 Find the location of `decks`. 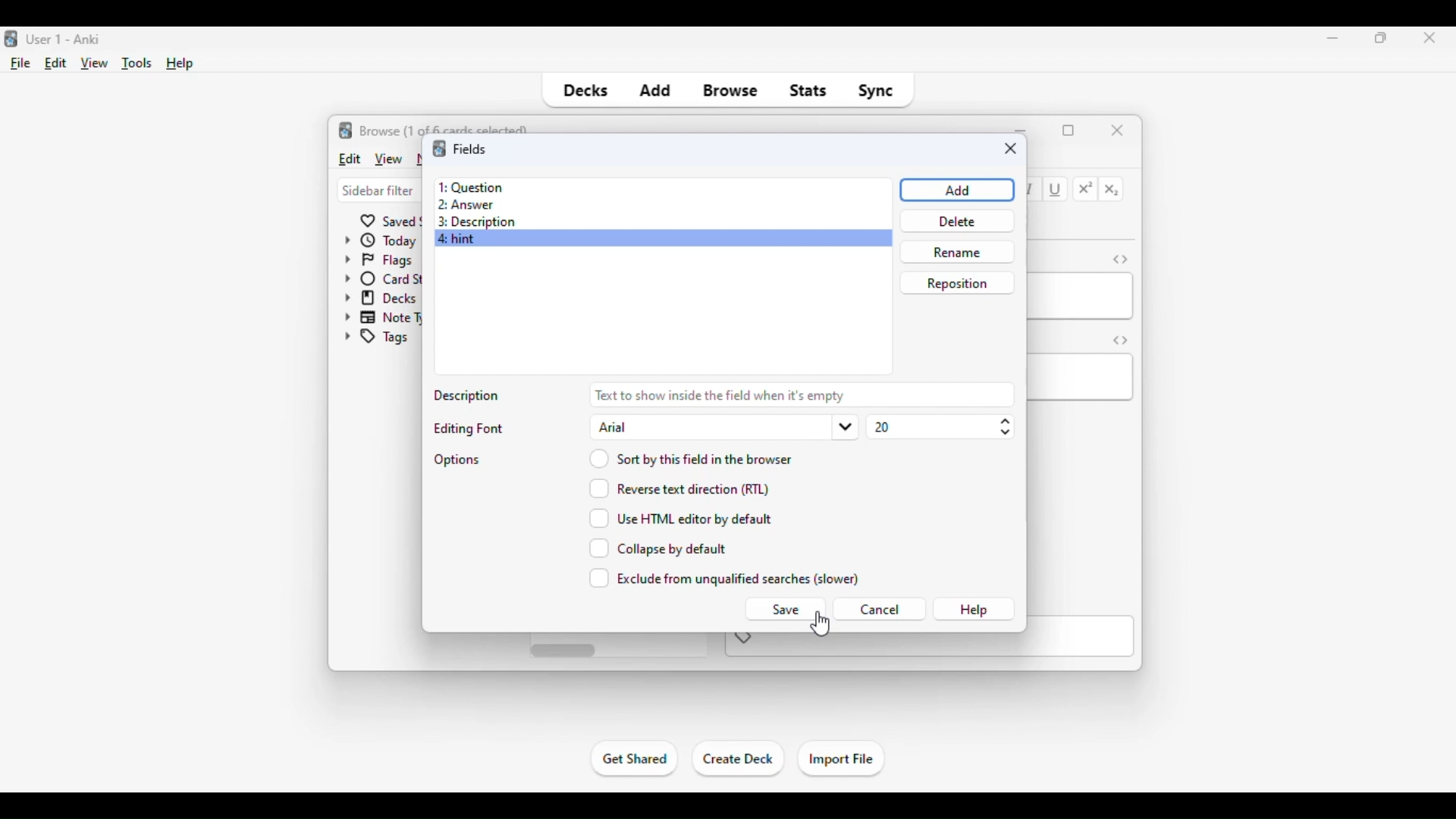

decks is located at coordinates (584, 91).